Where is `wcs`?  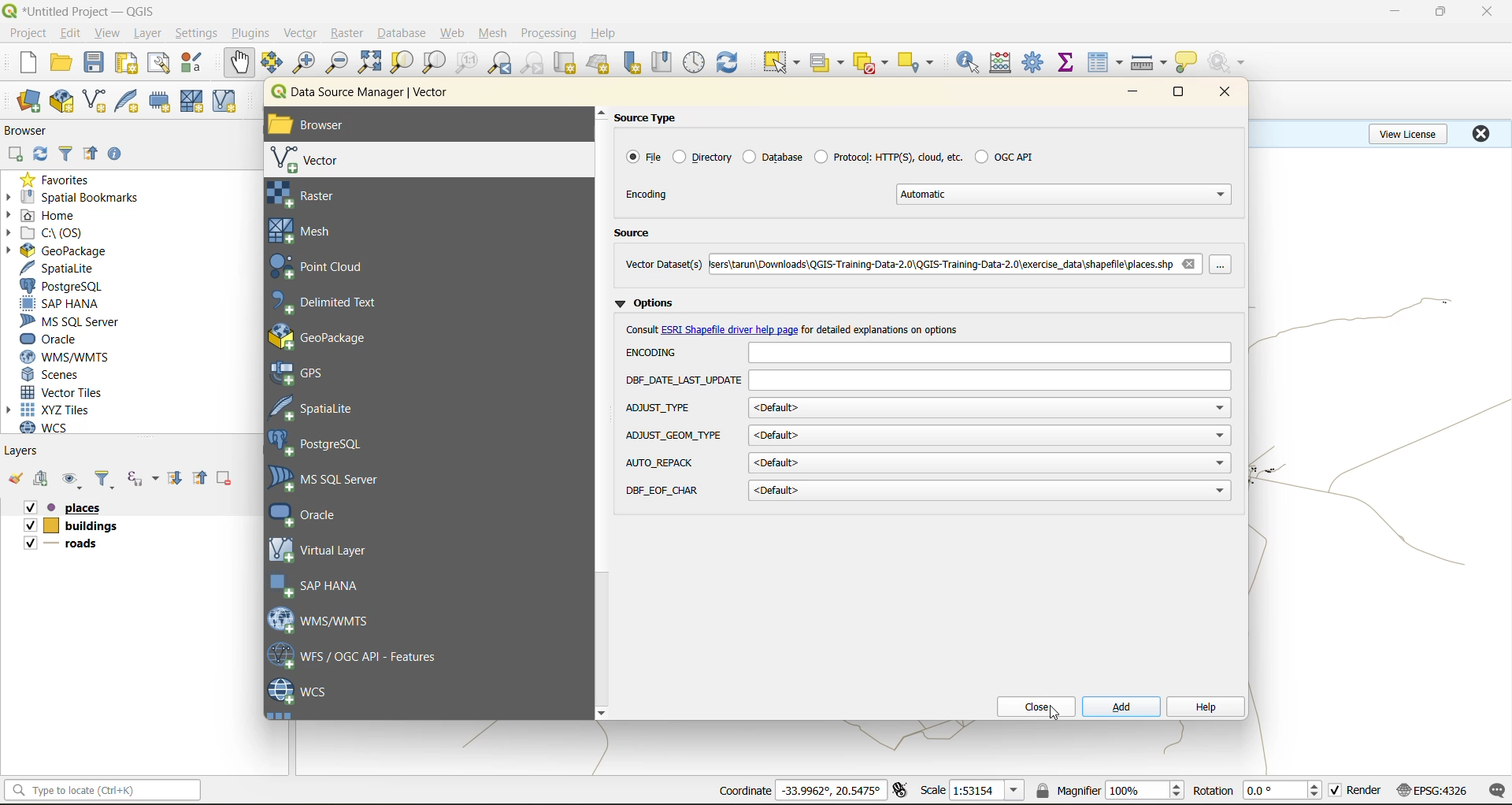 wcs is located at coordinates (299, 692).